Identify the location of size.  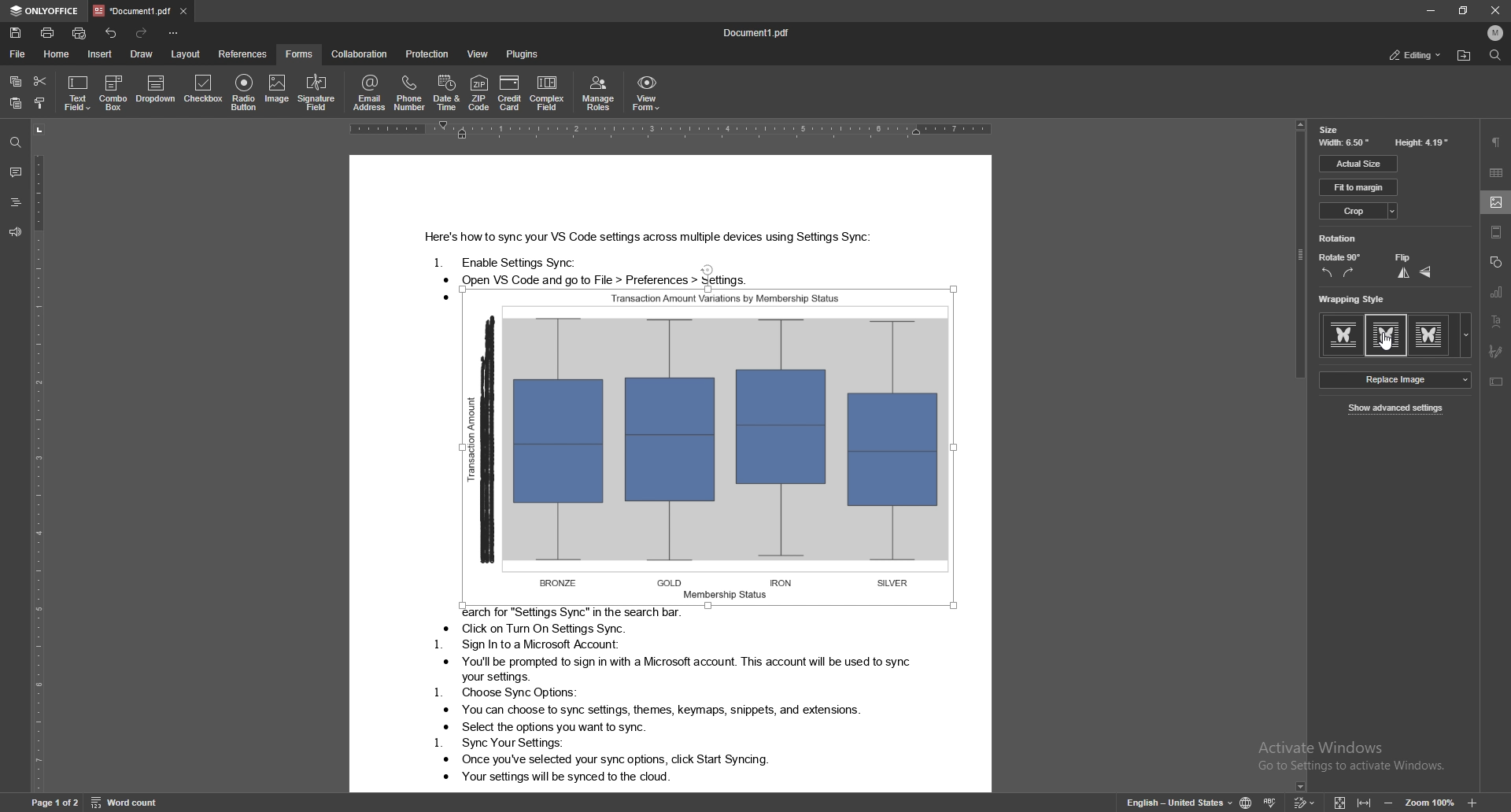
(1329, 129).